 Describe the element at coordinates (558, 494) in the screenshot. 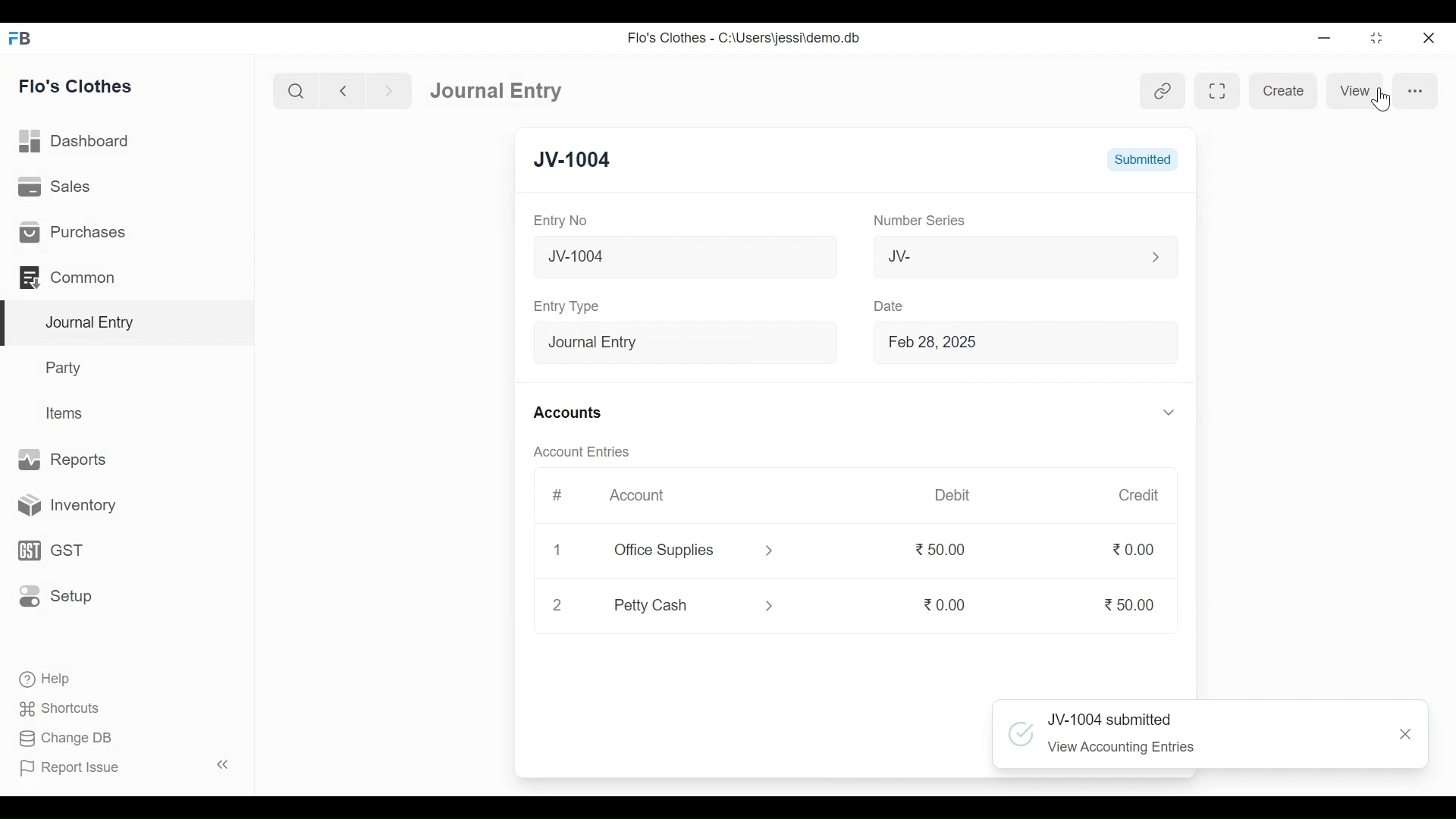

I see `#` at that location.